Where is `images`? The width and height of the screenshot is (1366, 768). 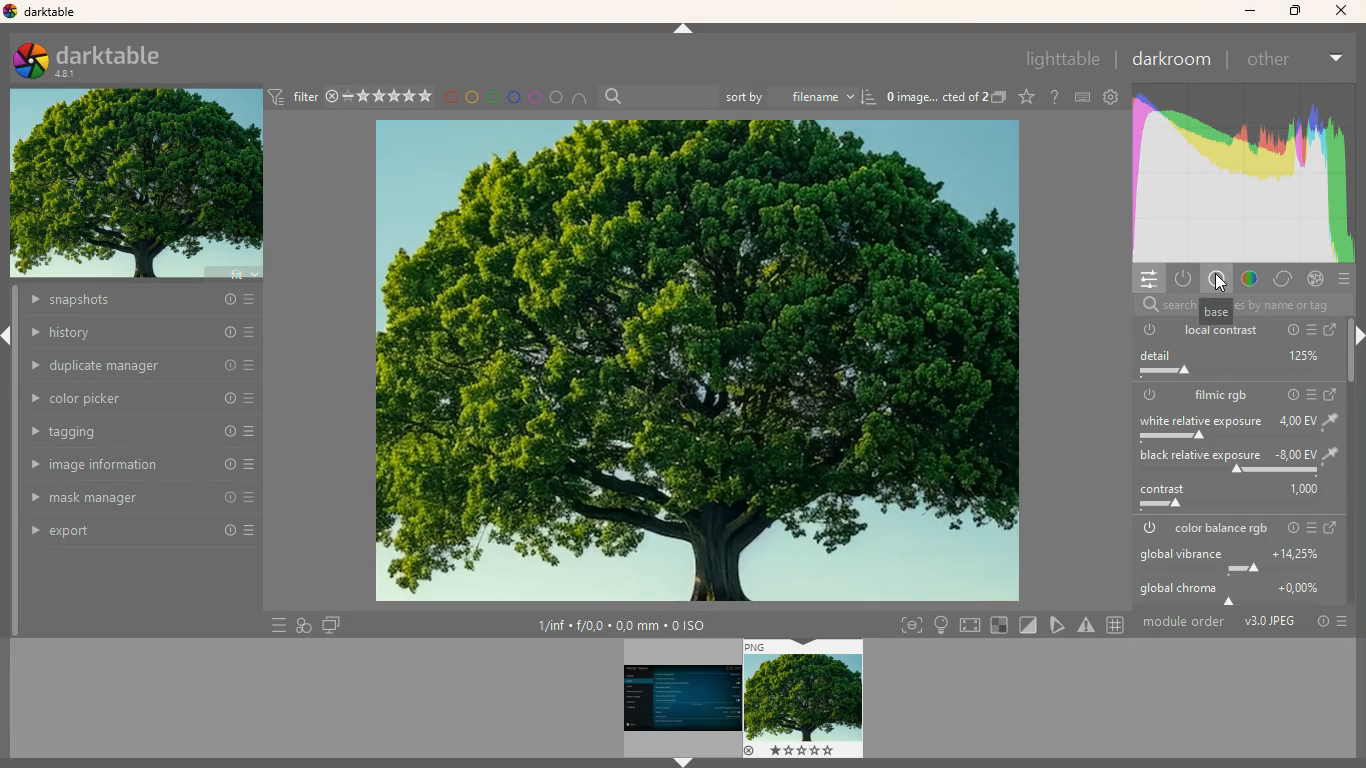
images is located at coordinates (1000, 97).